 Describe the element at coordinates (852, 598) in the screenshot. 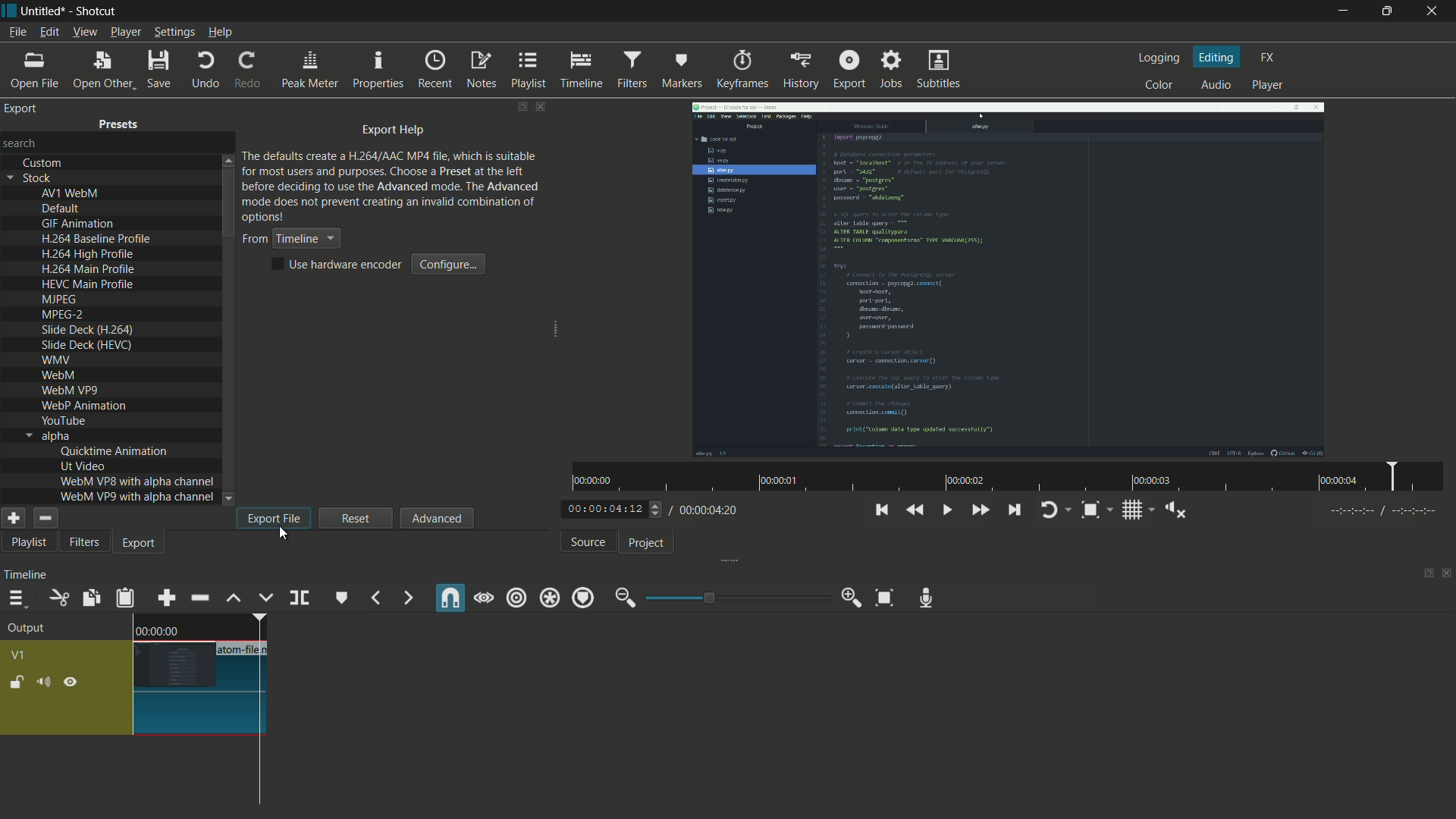

I see `zoom in` at that location.